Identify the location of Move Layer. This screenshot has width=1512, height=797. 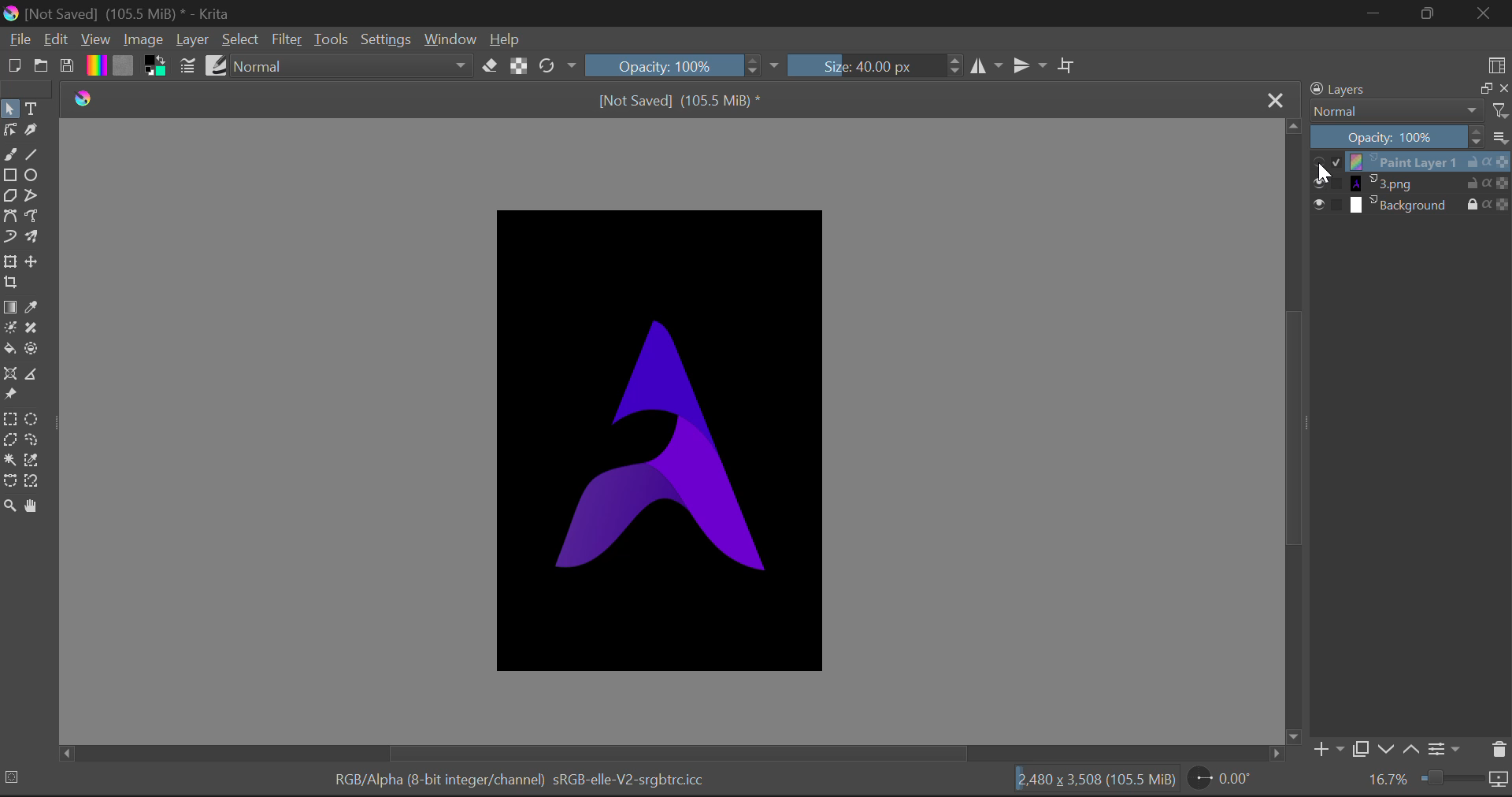
(35, 258).